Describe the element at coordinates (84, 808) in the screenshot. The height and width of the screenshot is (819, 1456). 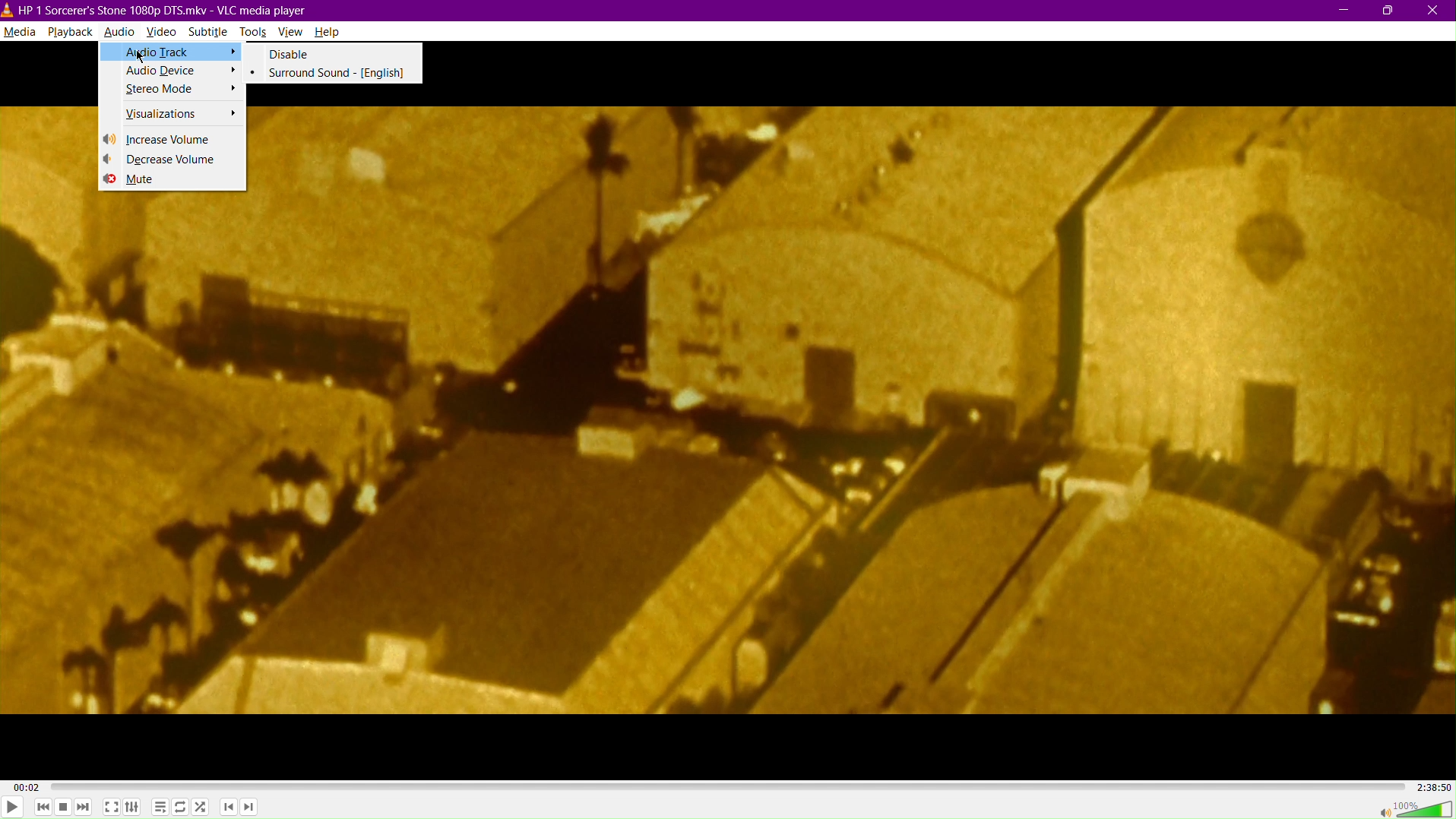
I see `Skip Forward` at that location.